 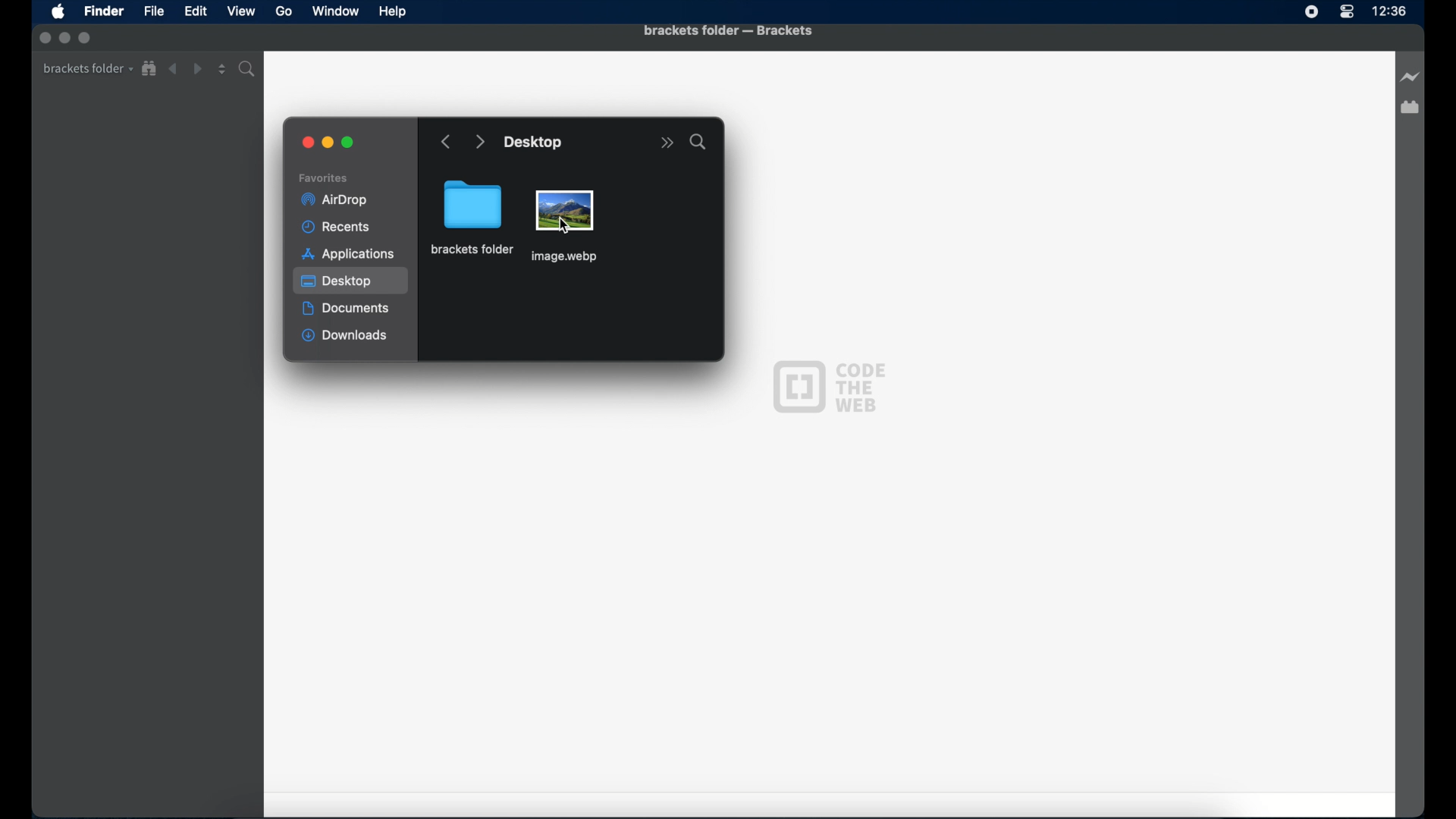 I want to click on image file, so click(x=565, y=228).